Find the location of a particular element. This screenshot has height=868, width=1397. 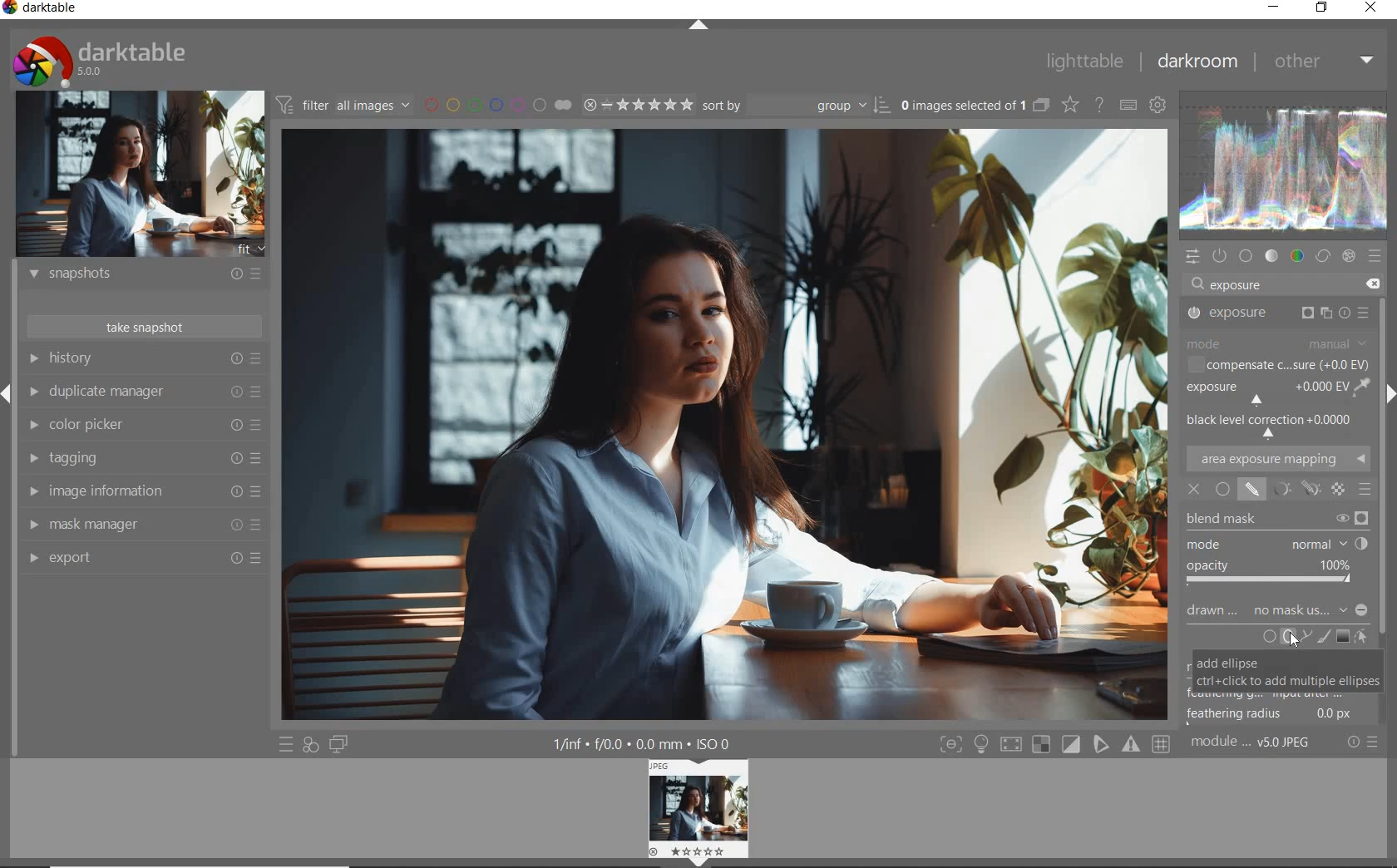

range rating of selected images is located at coordinates (638, 105).